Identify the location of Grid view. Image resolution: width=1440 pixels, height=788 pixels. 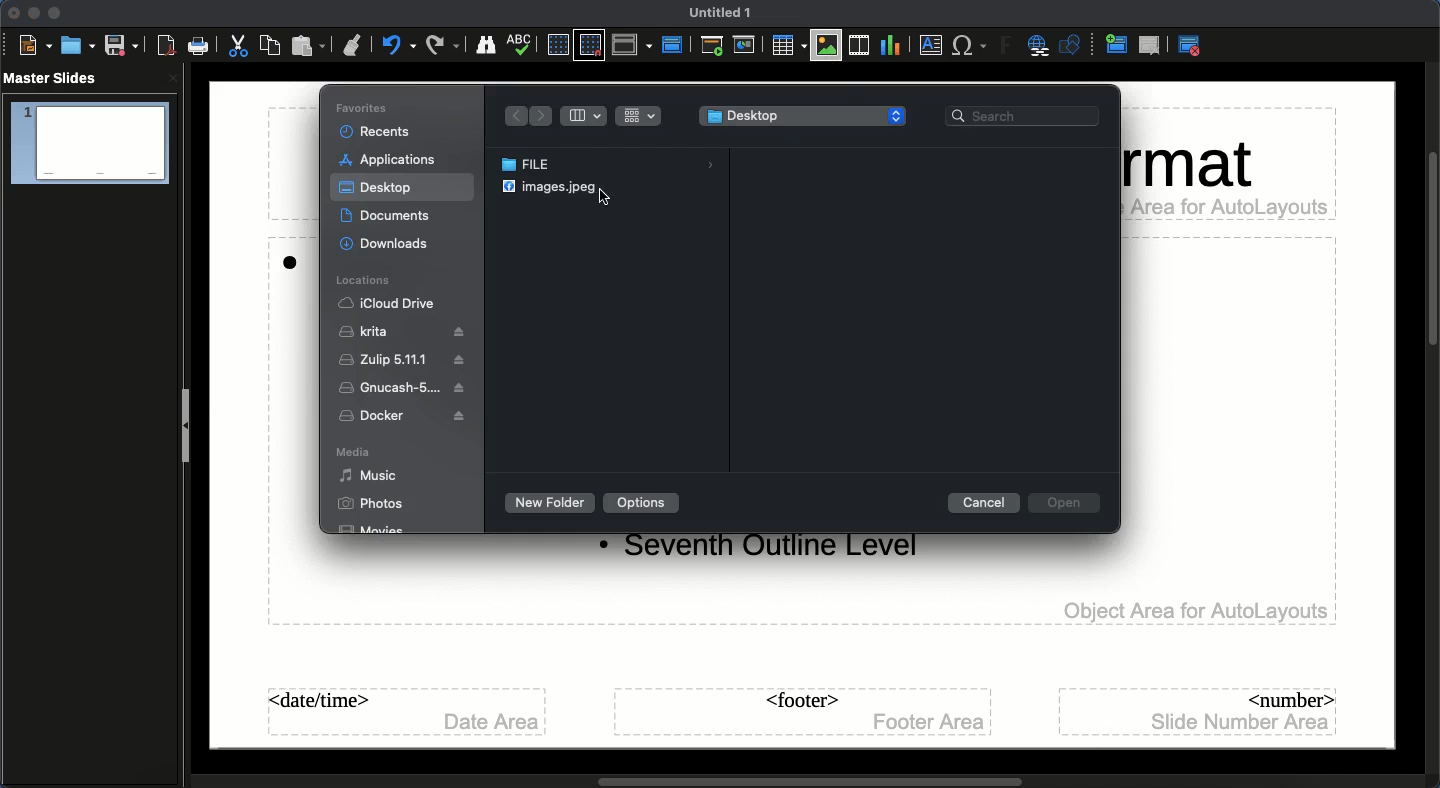
(638, 116).